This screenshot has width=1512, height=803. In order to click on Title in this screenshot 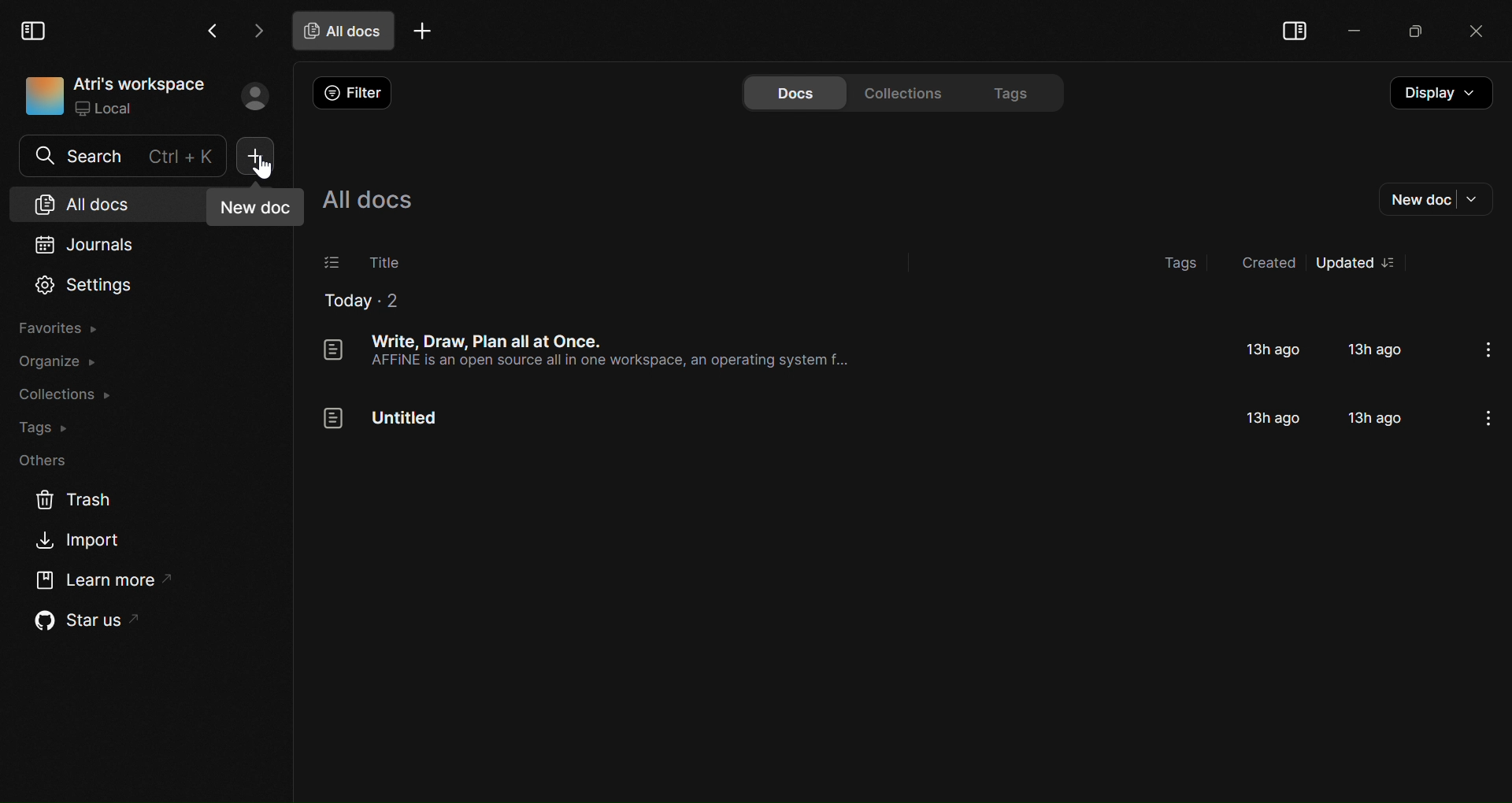, I will do `click(385, 263)`.